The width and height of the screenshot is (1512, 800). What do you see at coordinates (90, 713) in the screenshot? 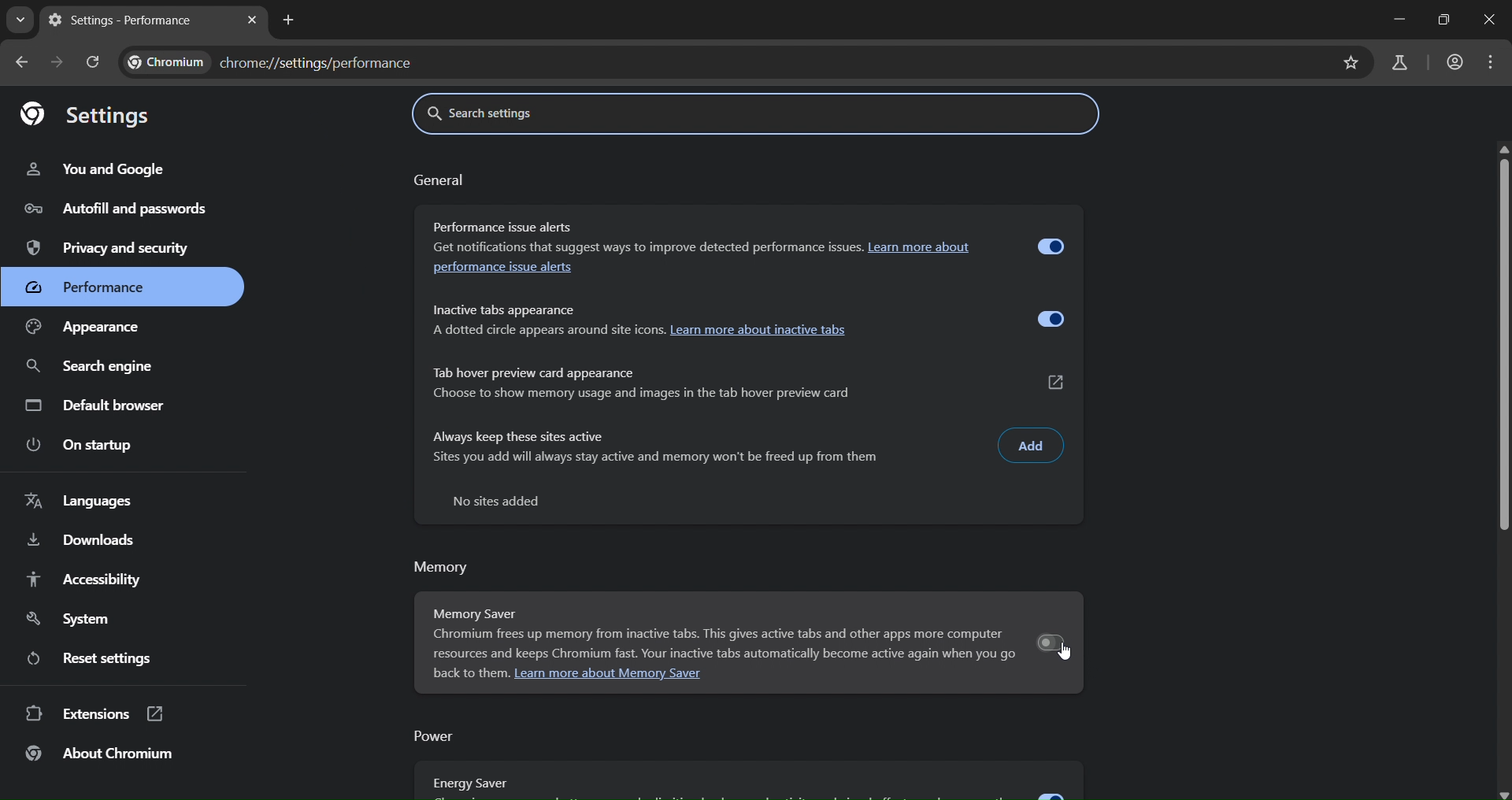
I see `Extensions` at bounding box center [90, 713].